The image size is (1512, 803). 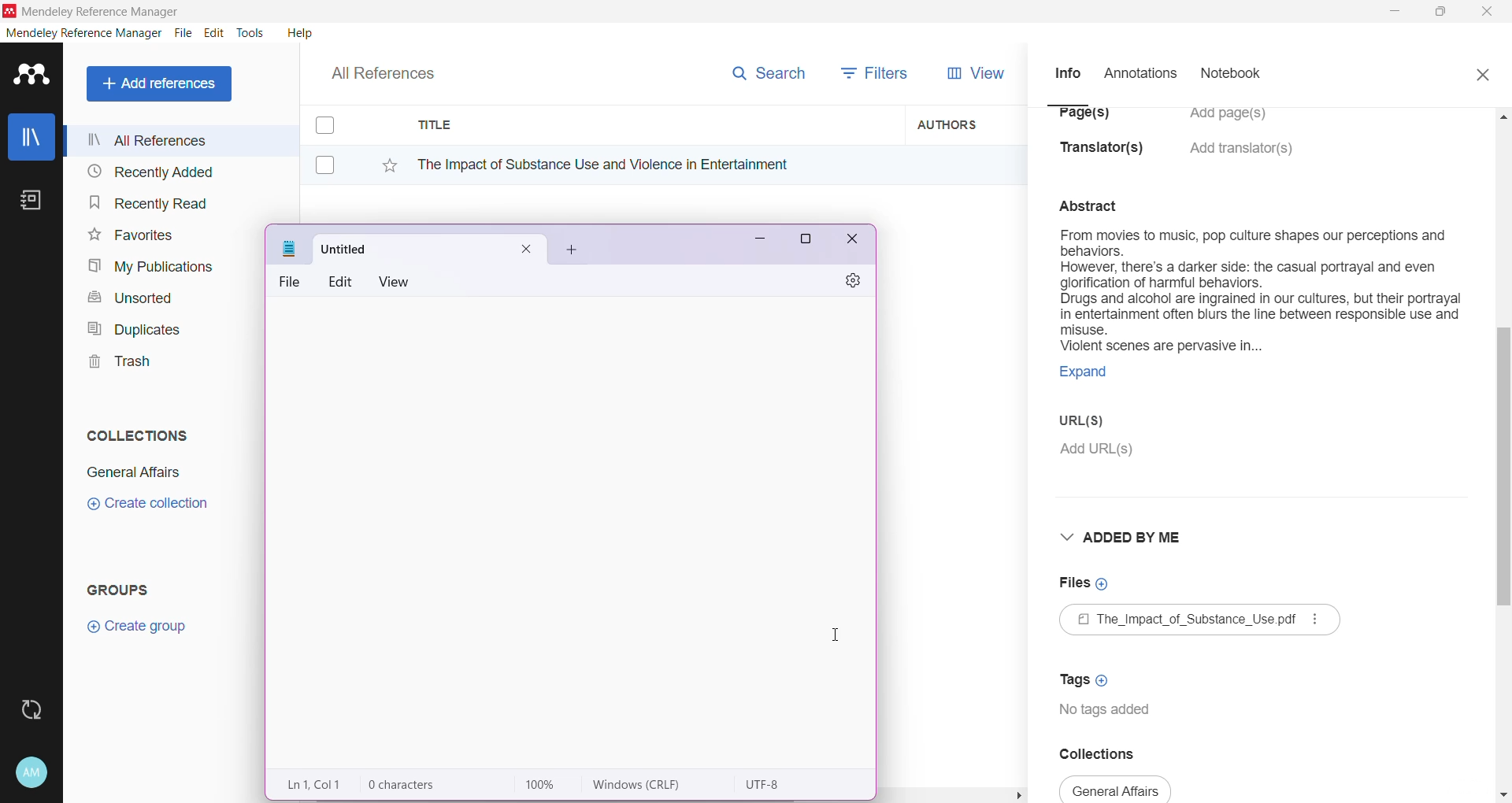 What do you see at coordinates (180, 140) in the screenshot?
I see `All References` at bounding box center [180, 140].